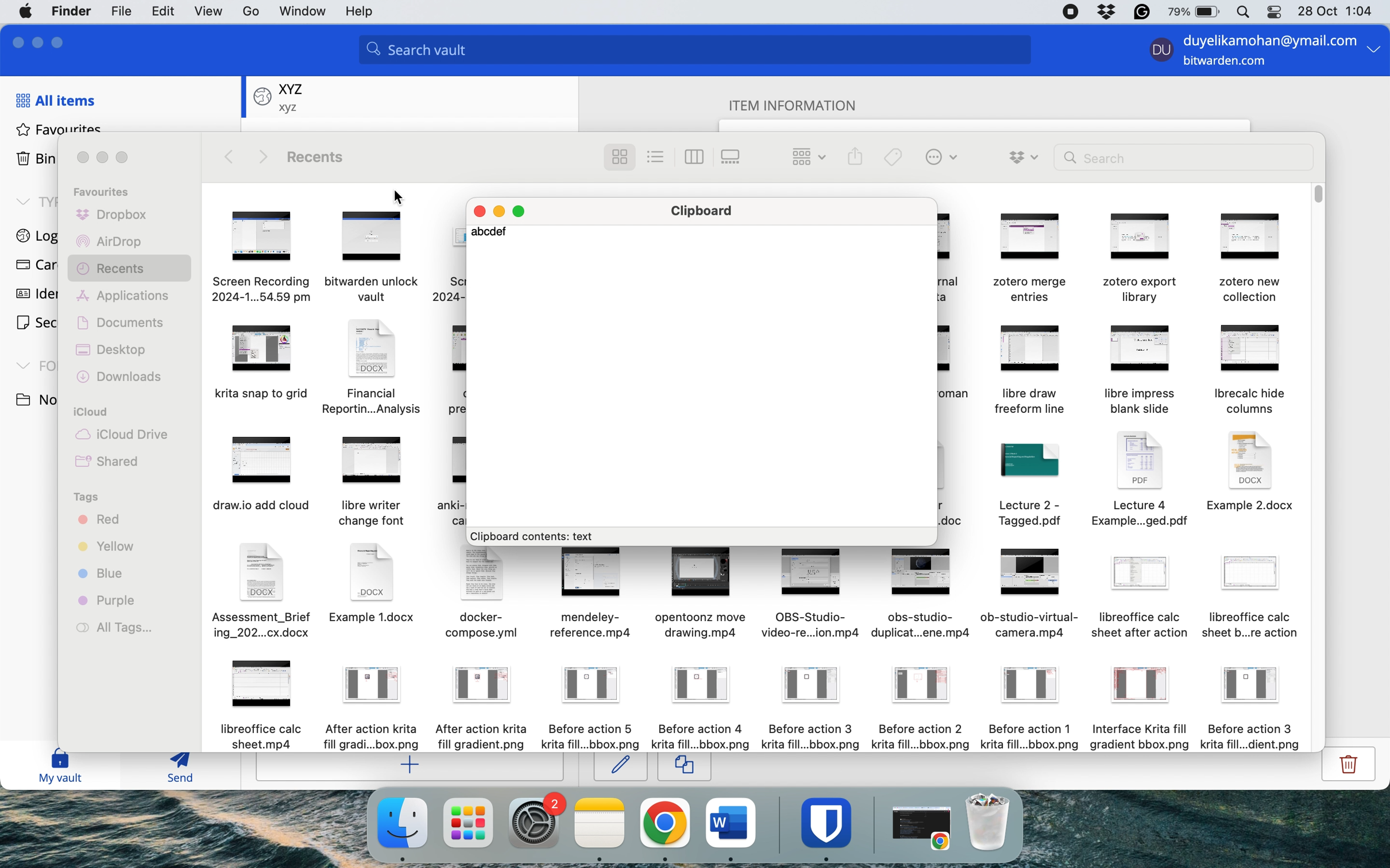  I want to click on system files, so click(331, 379).